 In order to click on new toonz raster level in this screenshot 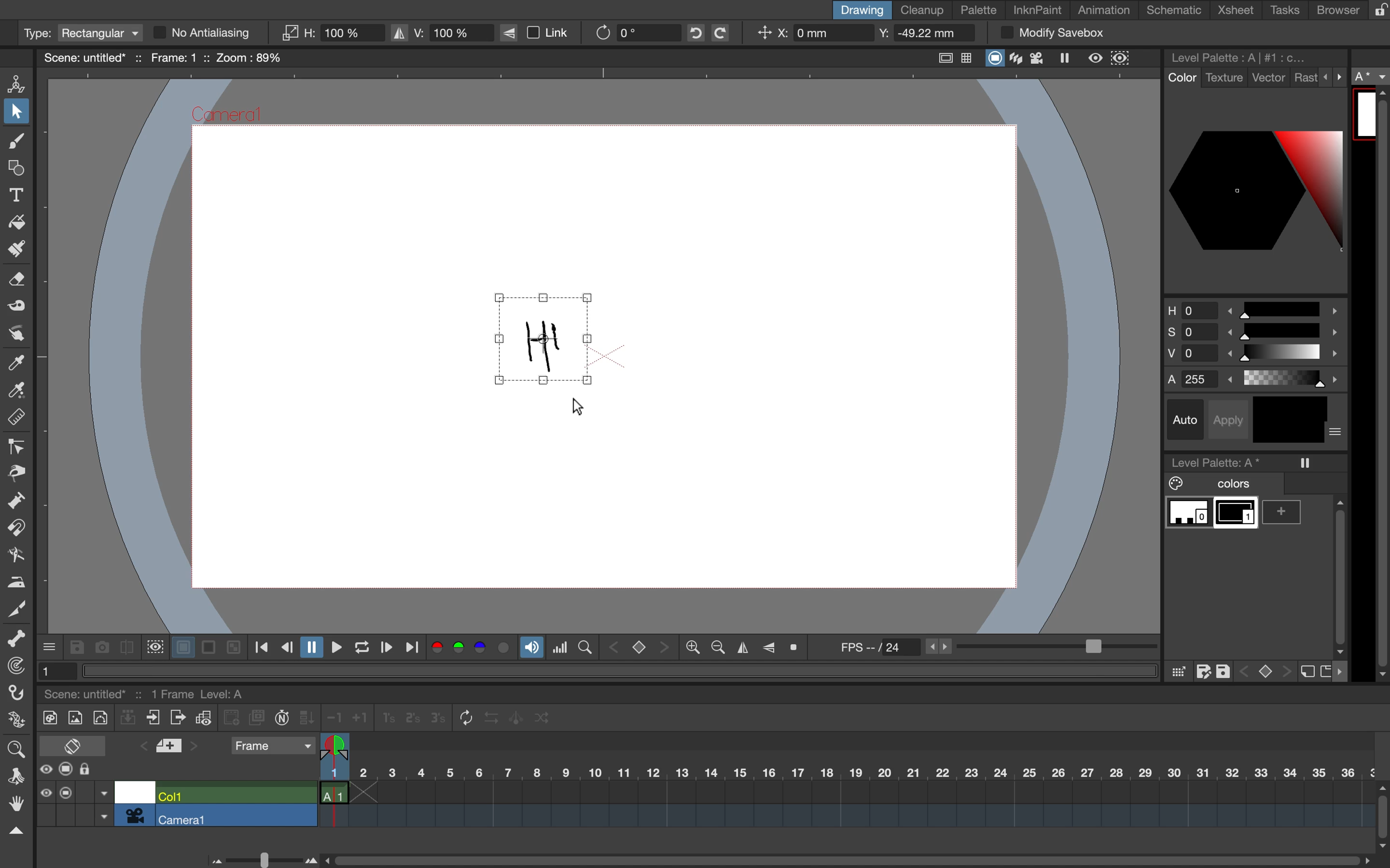, I will do `click(47, 716)`.